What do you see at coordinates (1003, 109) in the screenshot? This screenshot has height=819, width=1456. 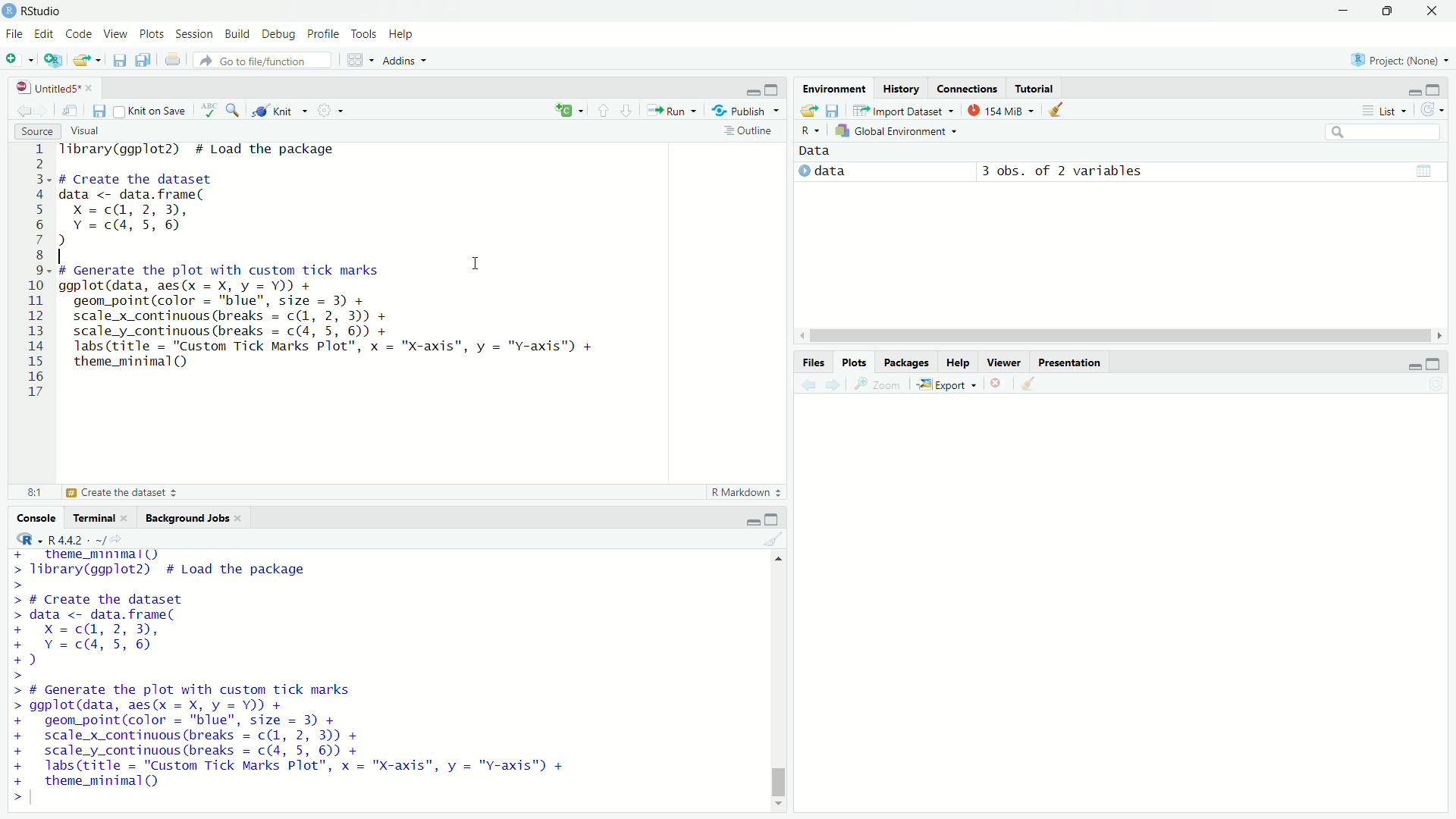 I see `154 MiB` at bounding box center [1003, 109].